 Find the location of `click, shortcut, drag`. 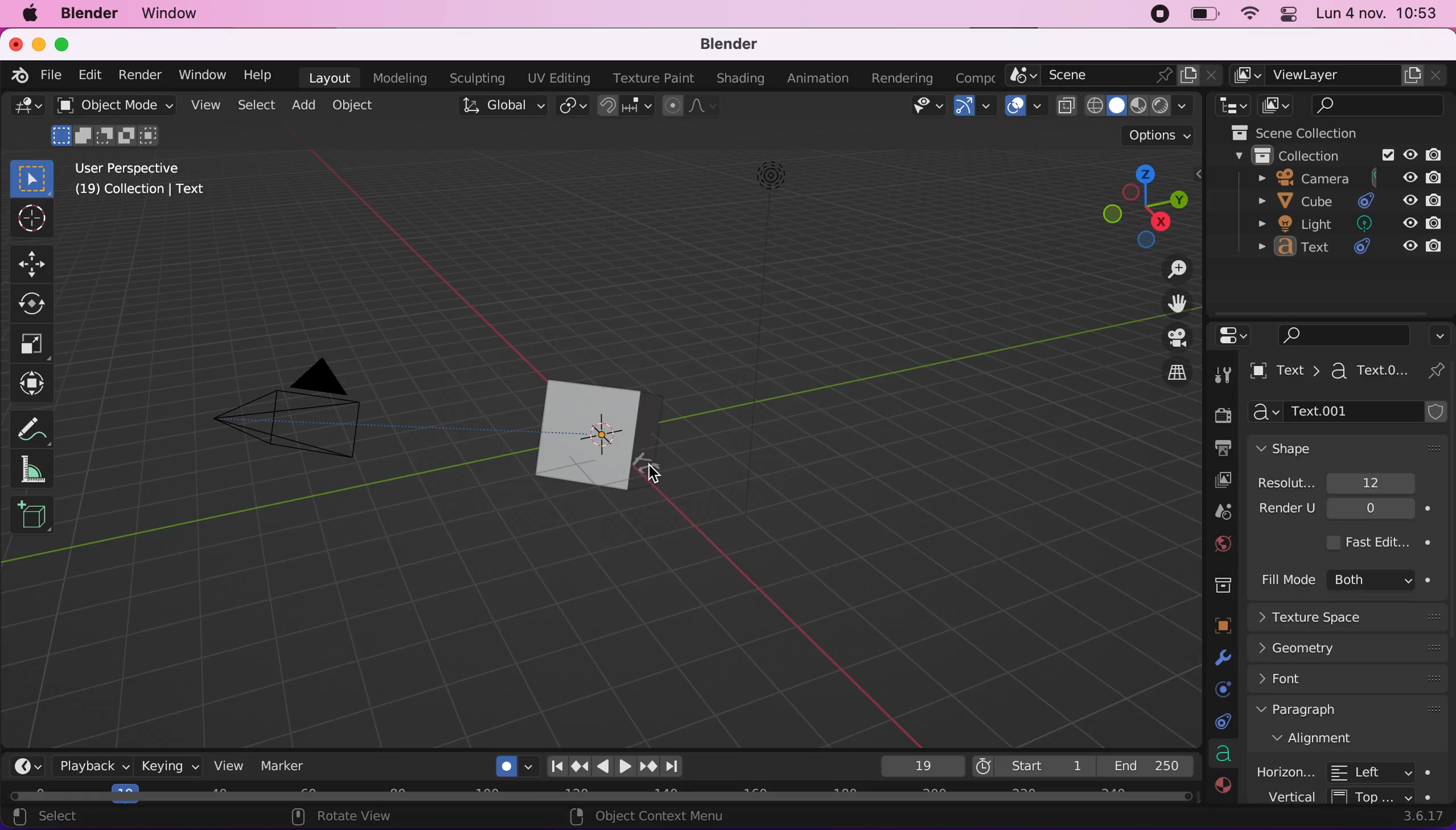

click, shortcut, drag is located at coordinates (1141, 204).